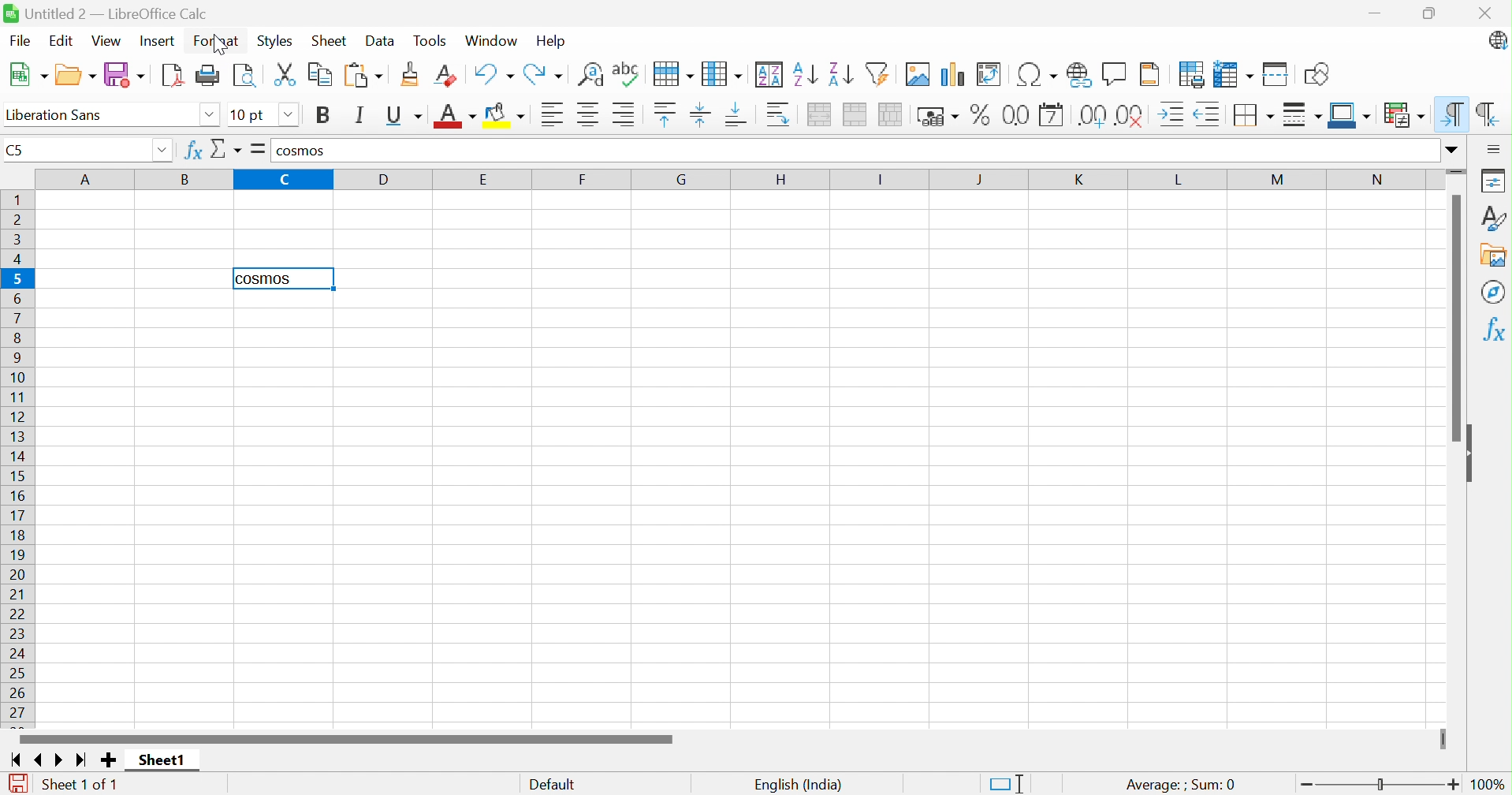 The image size is (1512, 795). I want to click on Headers and footers, so click(1151, 74).